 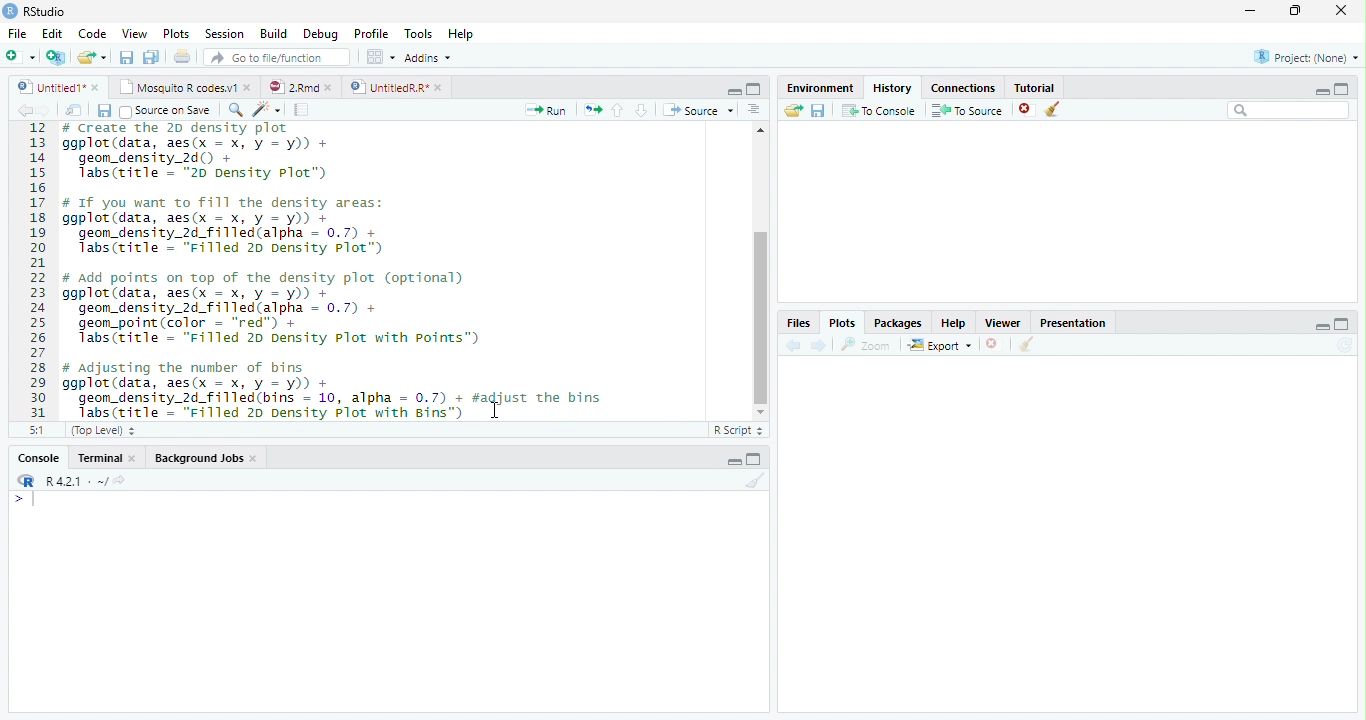 I want to click on ' RStudio, so click(x=34, y=12).